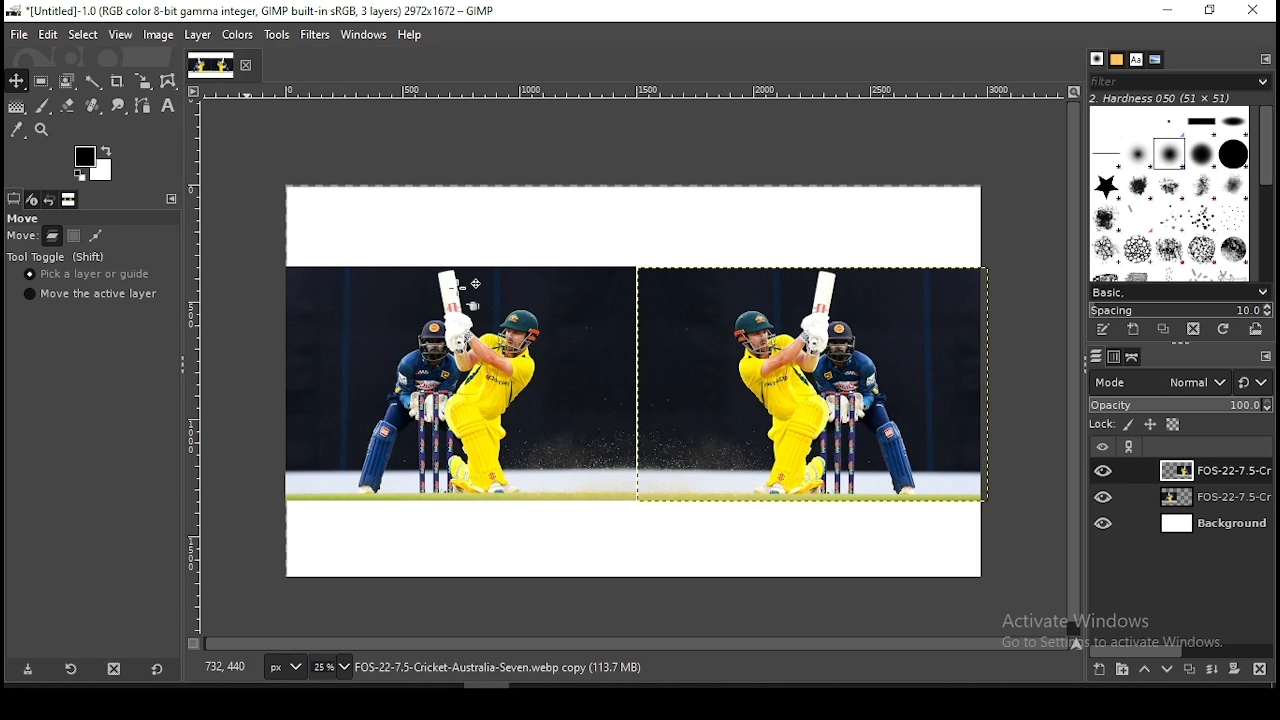  What do you see at coordinates (40, 81) in the screenshot?
I see `rectangular selection tool` at bounding box center [40, 81].